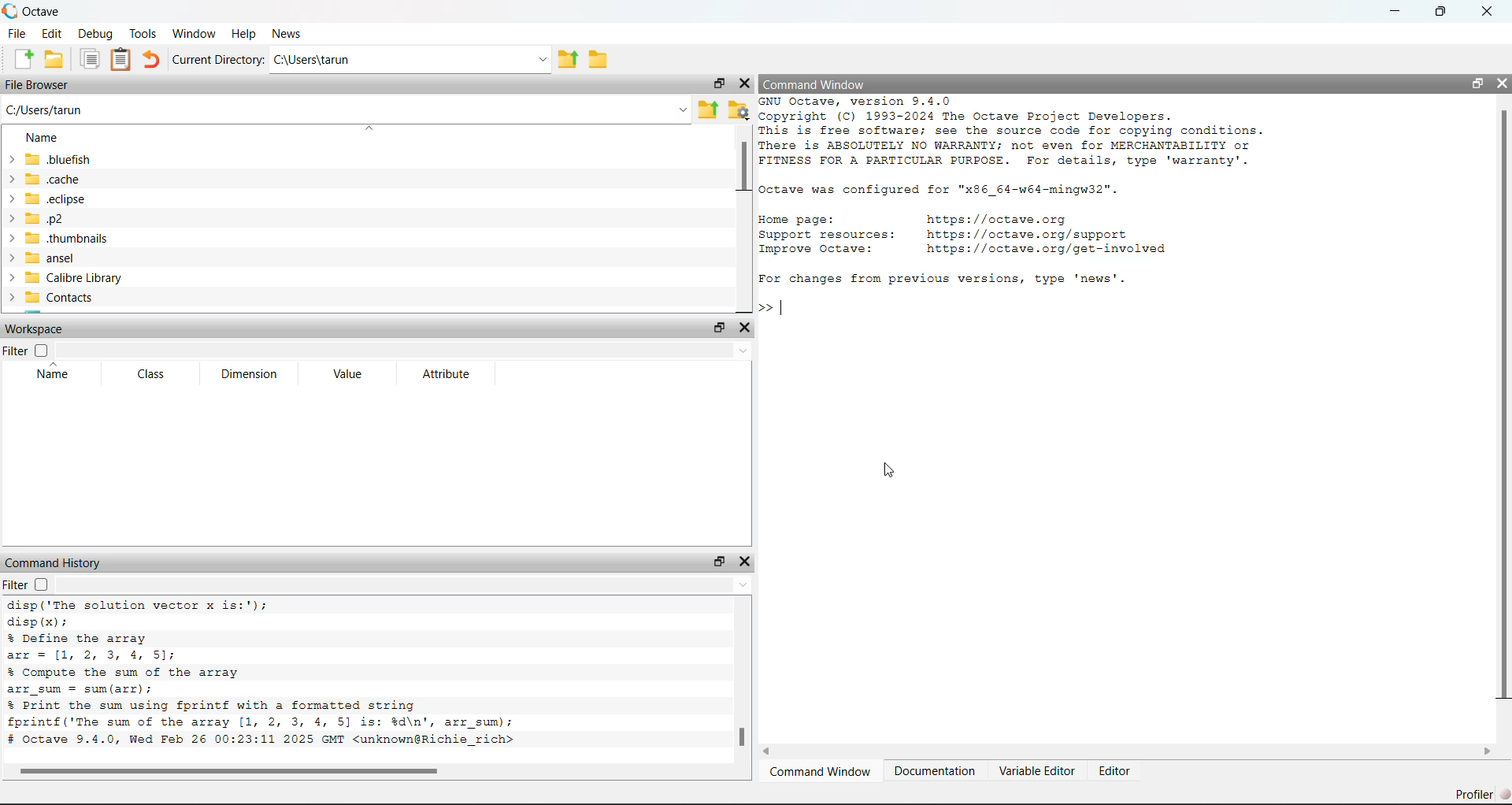 This screenshot has height=805, width=1512. I want to click on Current Directory:, so click(220, 61).